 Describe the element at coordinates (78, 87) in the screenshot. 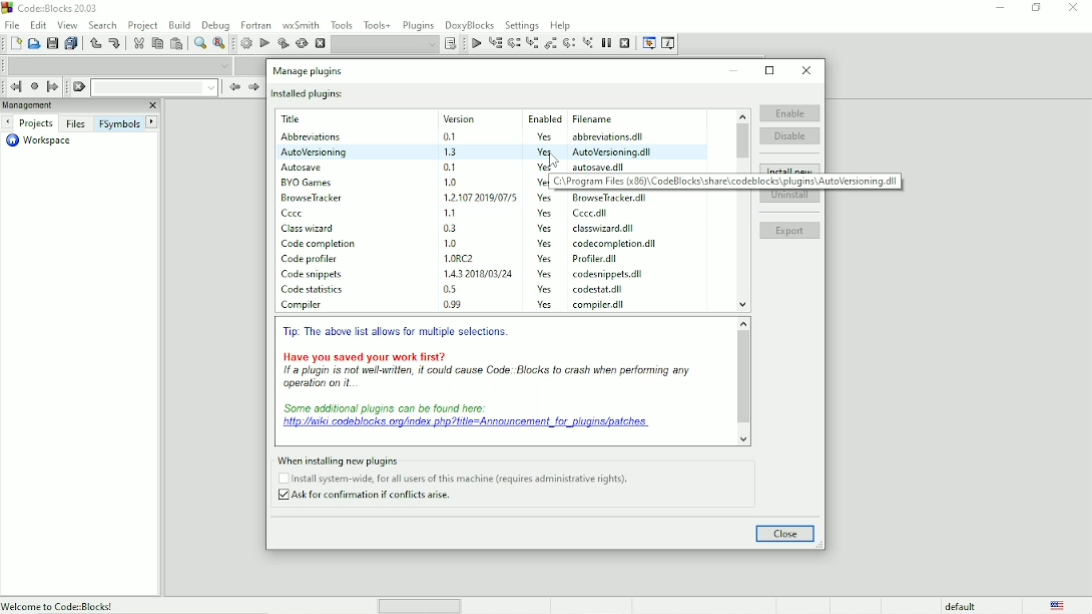

I see `Clear` at that location.